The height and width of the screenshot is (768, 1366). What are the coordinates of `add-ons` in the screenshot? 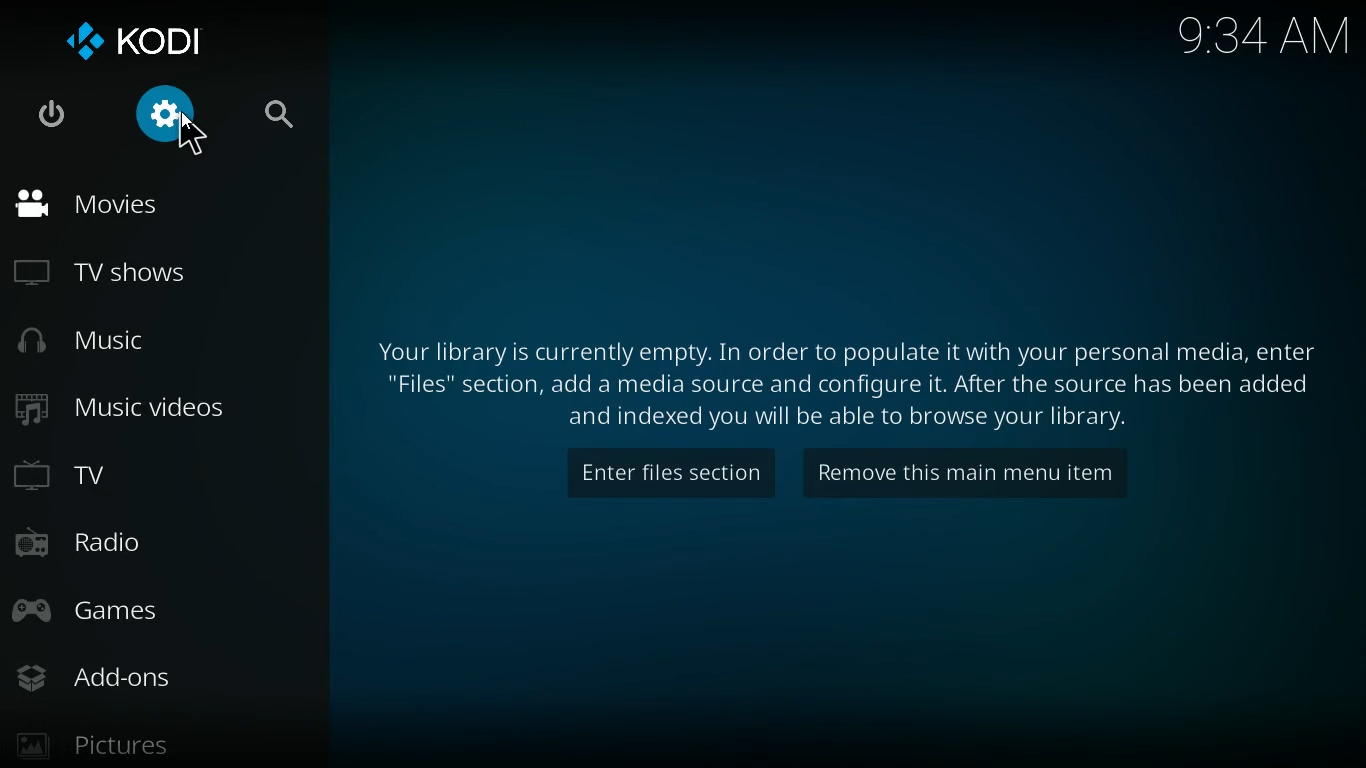 It's located at (125, 677).